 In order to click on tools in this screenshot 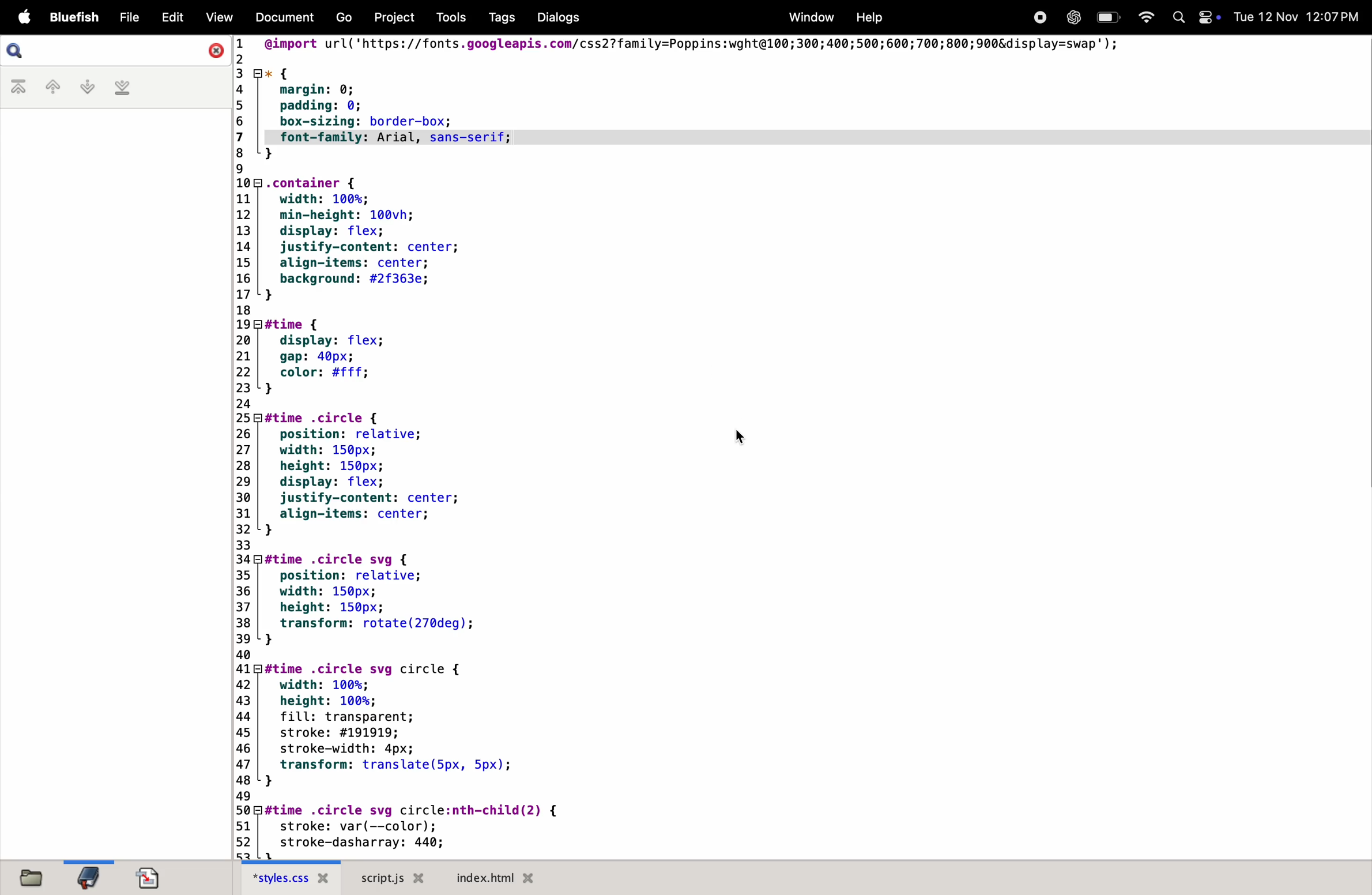, I will do `click(446, 17)`.